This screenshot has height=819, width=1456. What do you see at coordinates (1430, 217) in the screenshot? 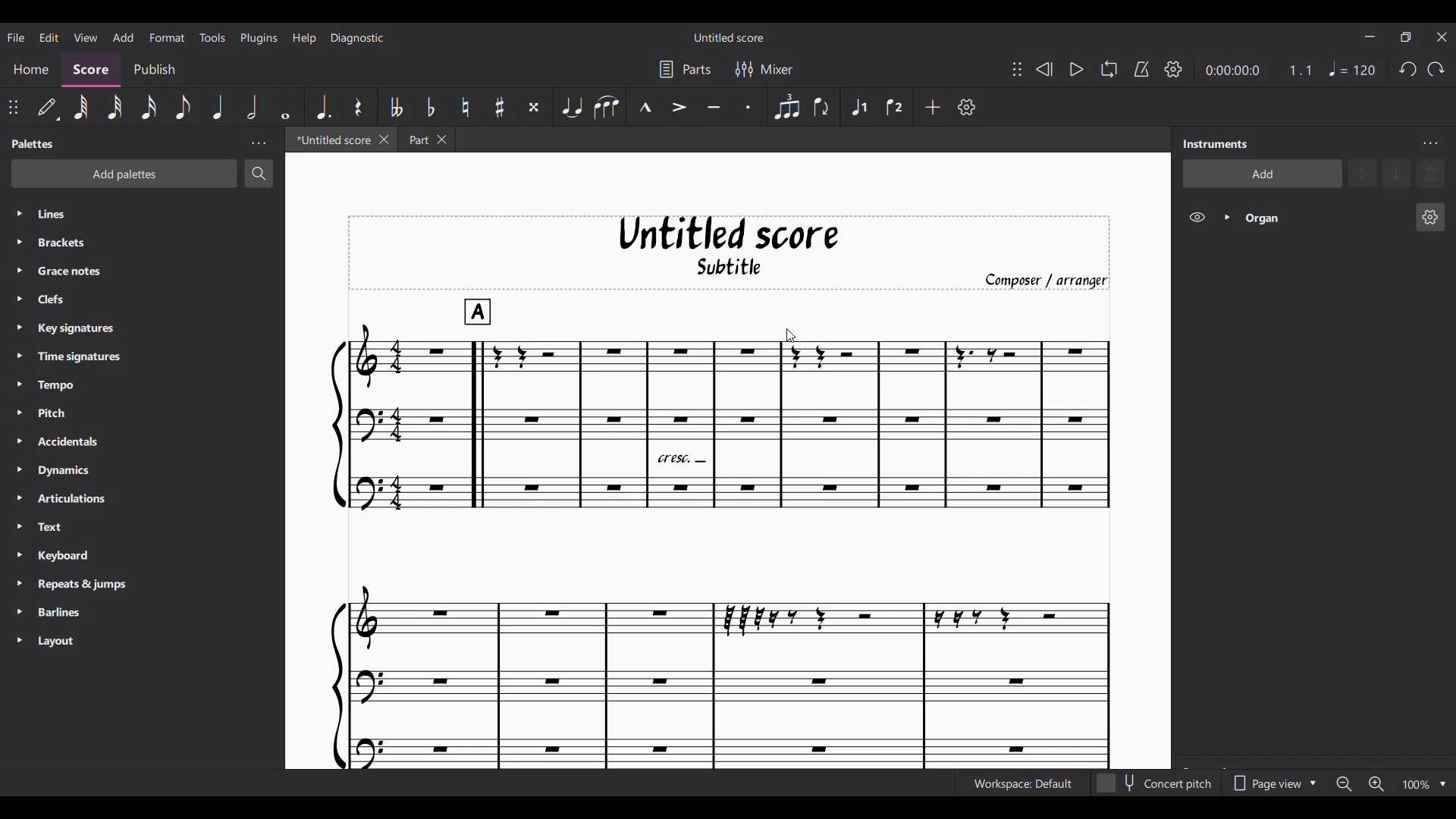
I see `Organ instrument settings` at bounding box center [1430, 217].